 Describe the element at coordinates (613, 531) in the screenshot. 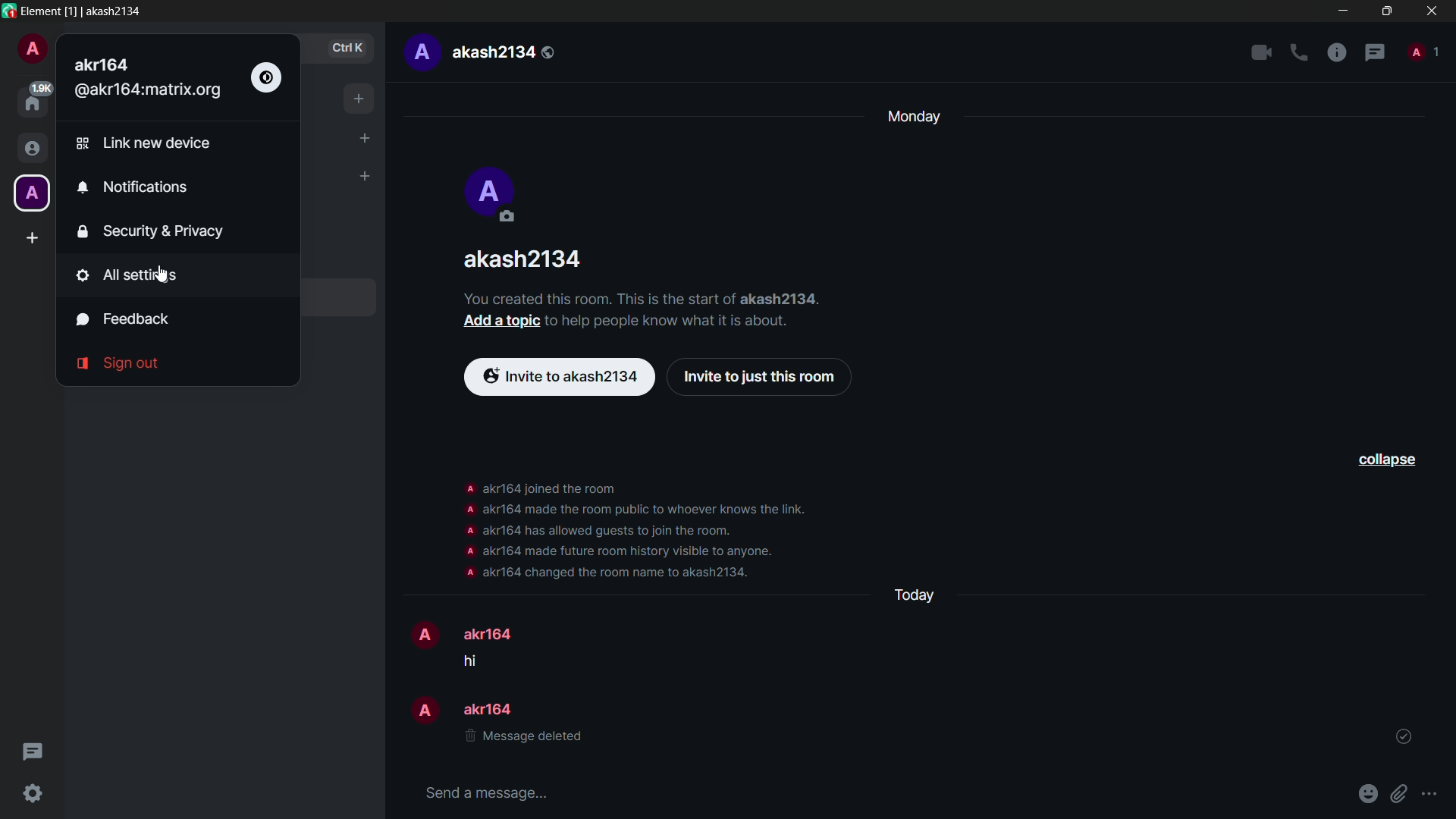

I see `akr164 has allowed guests to join the room.` at that location.